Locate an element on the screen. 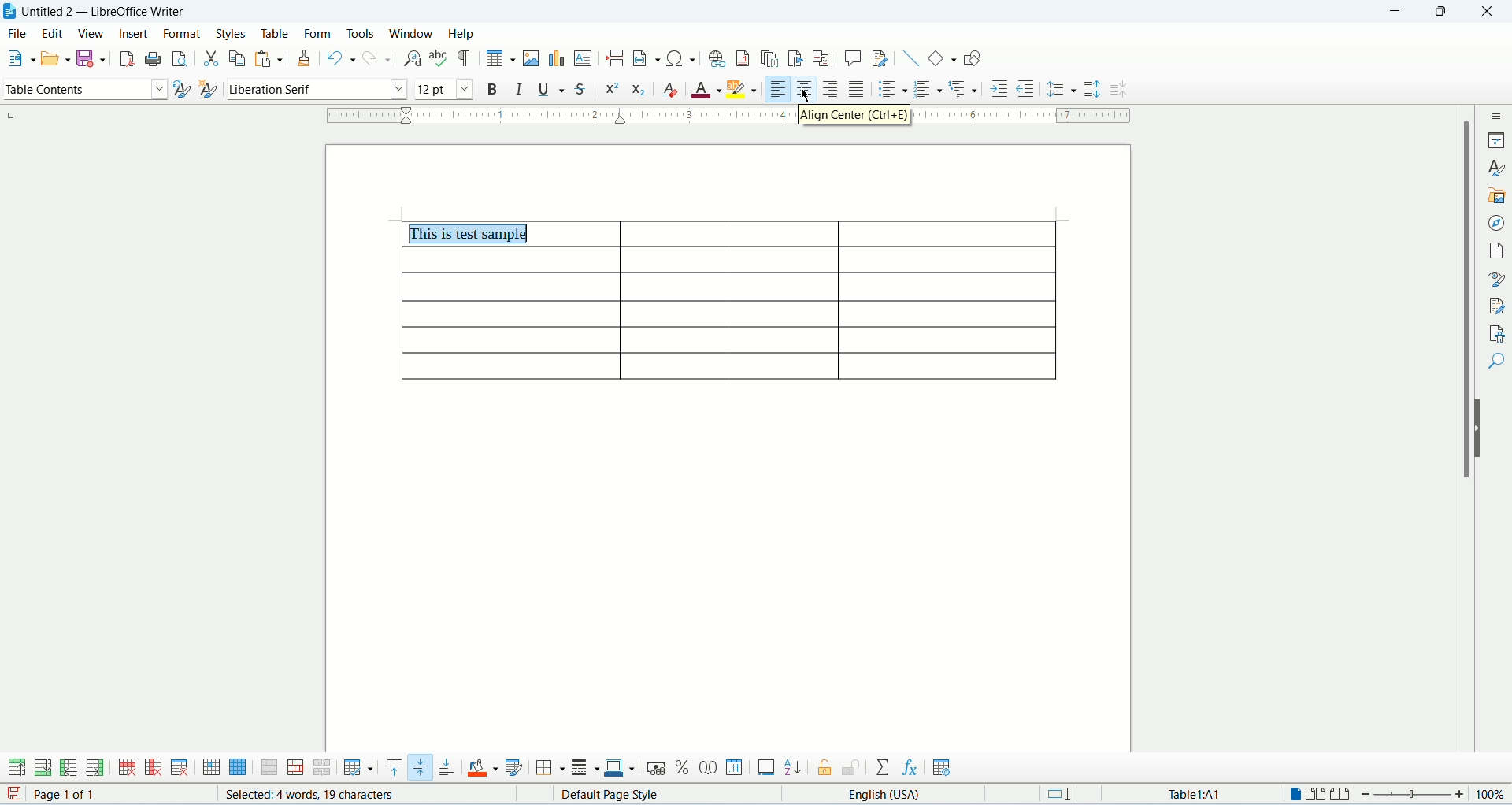 This screenshot has width=1512, height=805. insert page break is located at coordinates (616, 57).